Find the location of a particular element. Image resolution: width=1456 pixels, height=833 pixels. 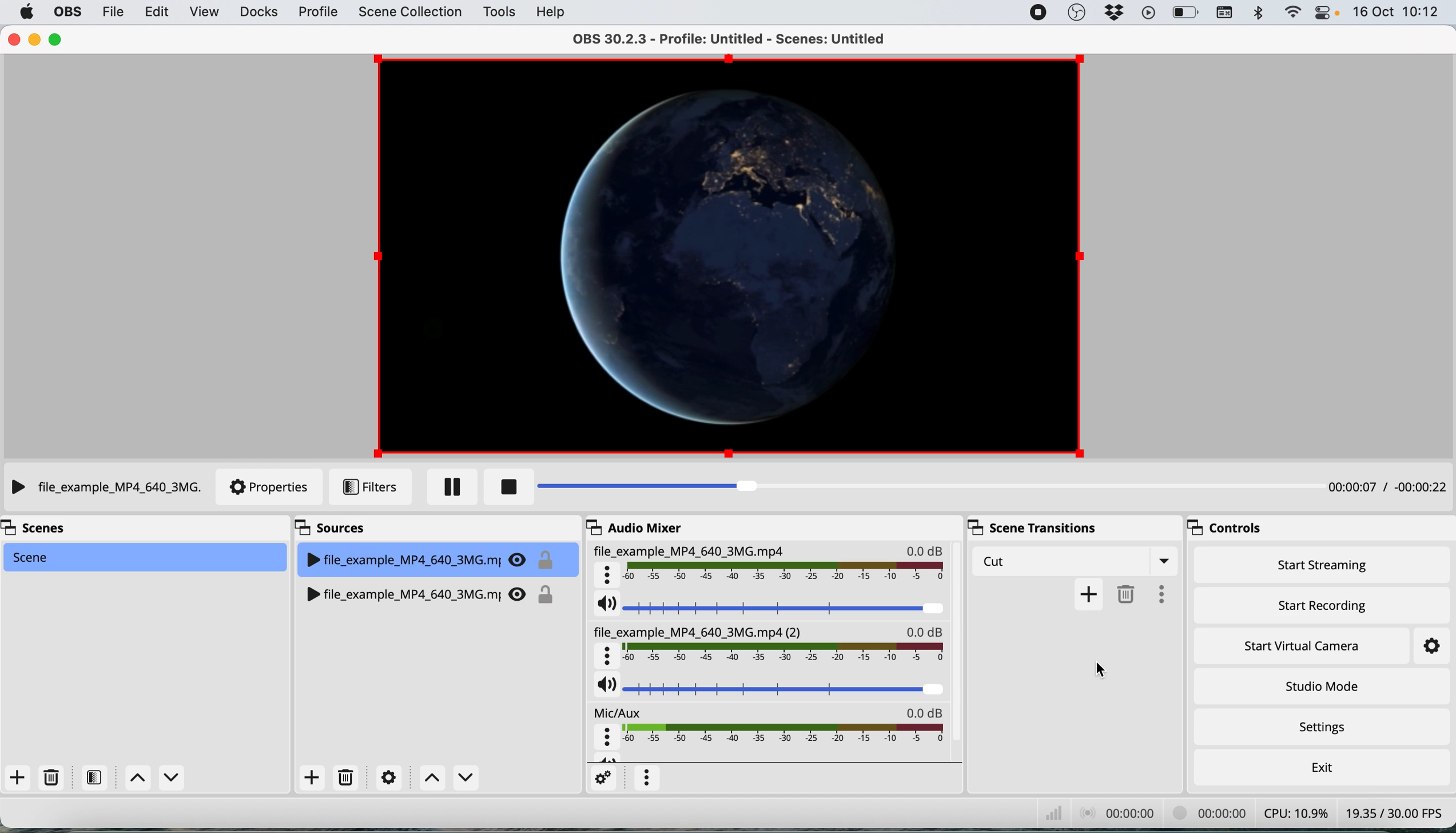

close is located at coordinates (13, 40).